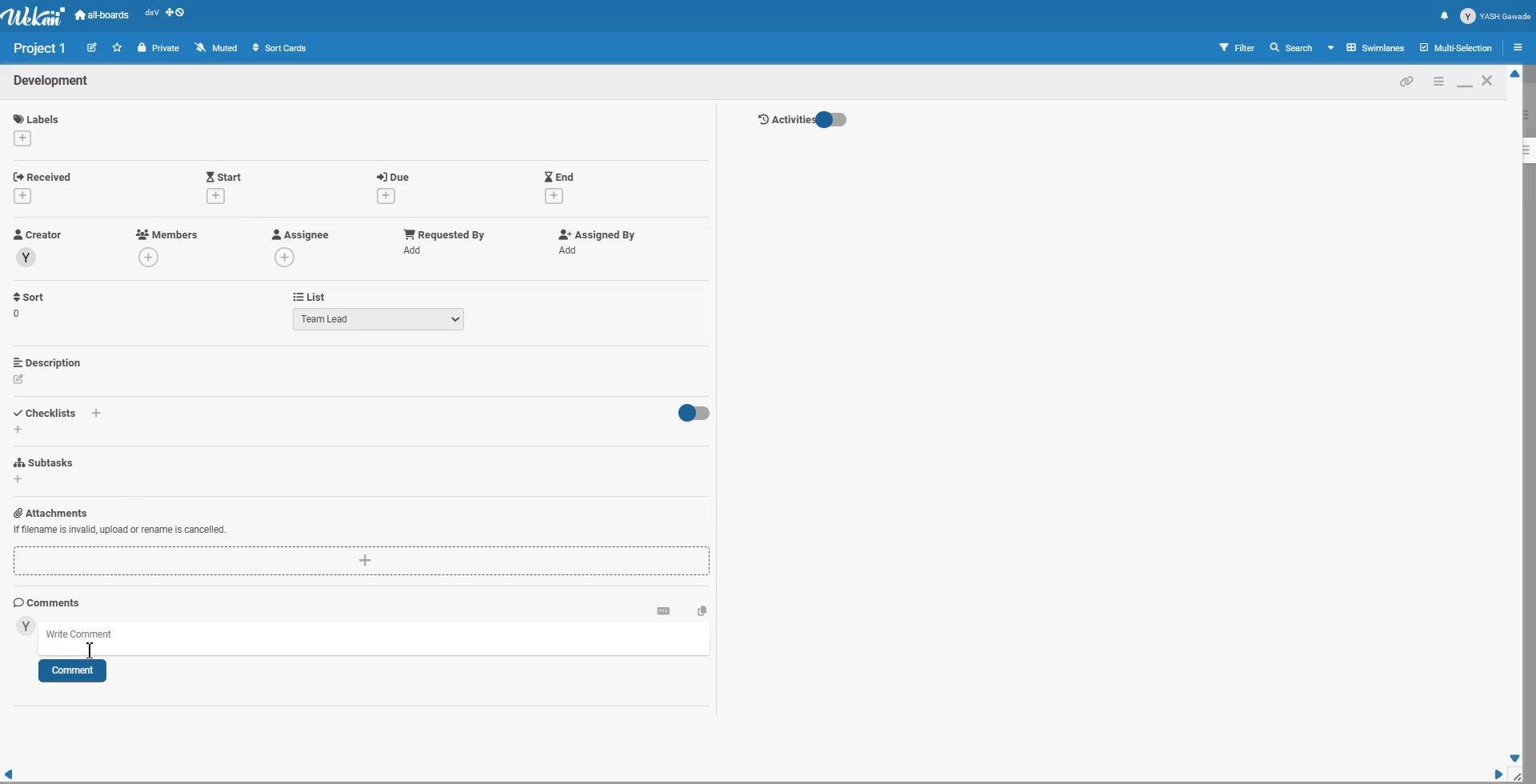 The width and height of the screenshot is (1536, 784). What do you see at coordinates (177, 15) in the screenshot?
I see `Show desktop drag handle` at bounding box center [177, 15].